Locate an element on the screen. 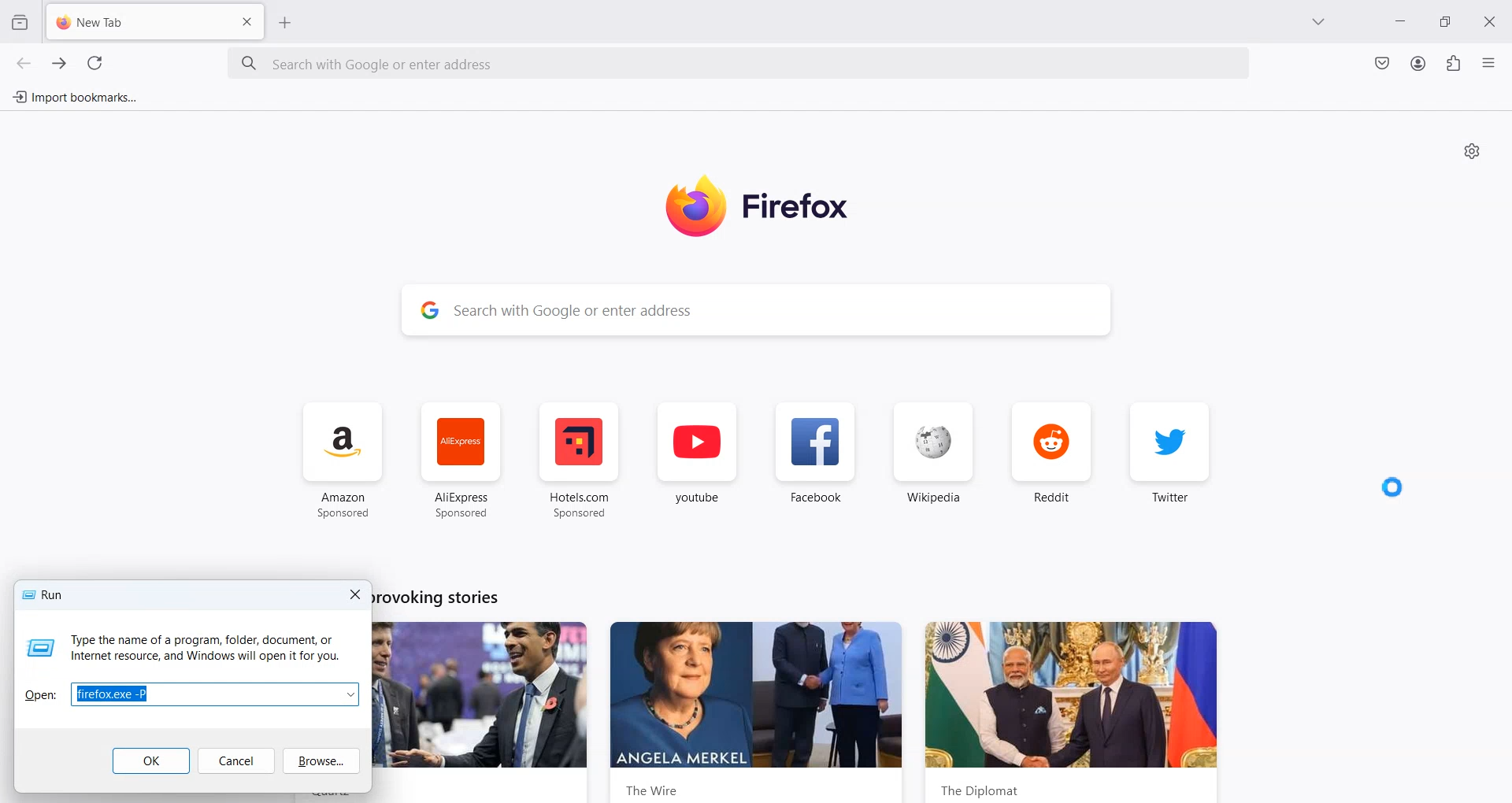 The width and height of the screenshot is (1512, 803). Maximize is located at coordinates (1448, 22).